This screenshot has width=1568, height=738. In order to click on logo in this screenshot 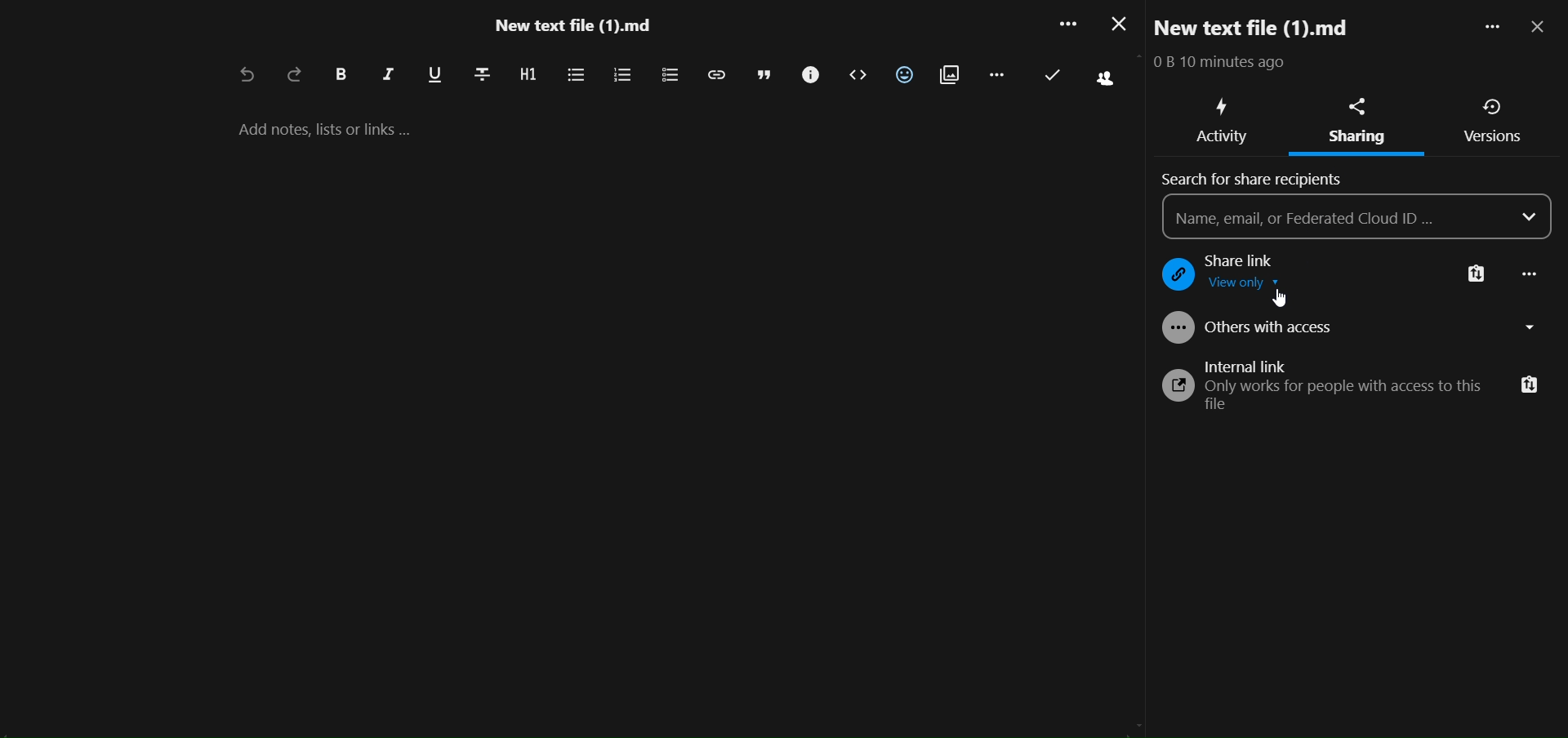, I will do `click(1174, 328)`.